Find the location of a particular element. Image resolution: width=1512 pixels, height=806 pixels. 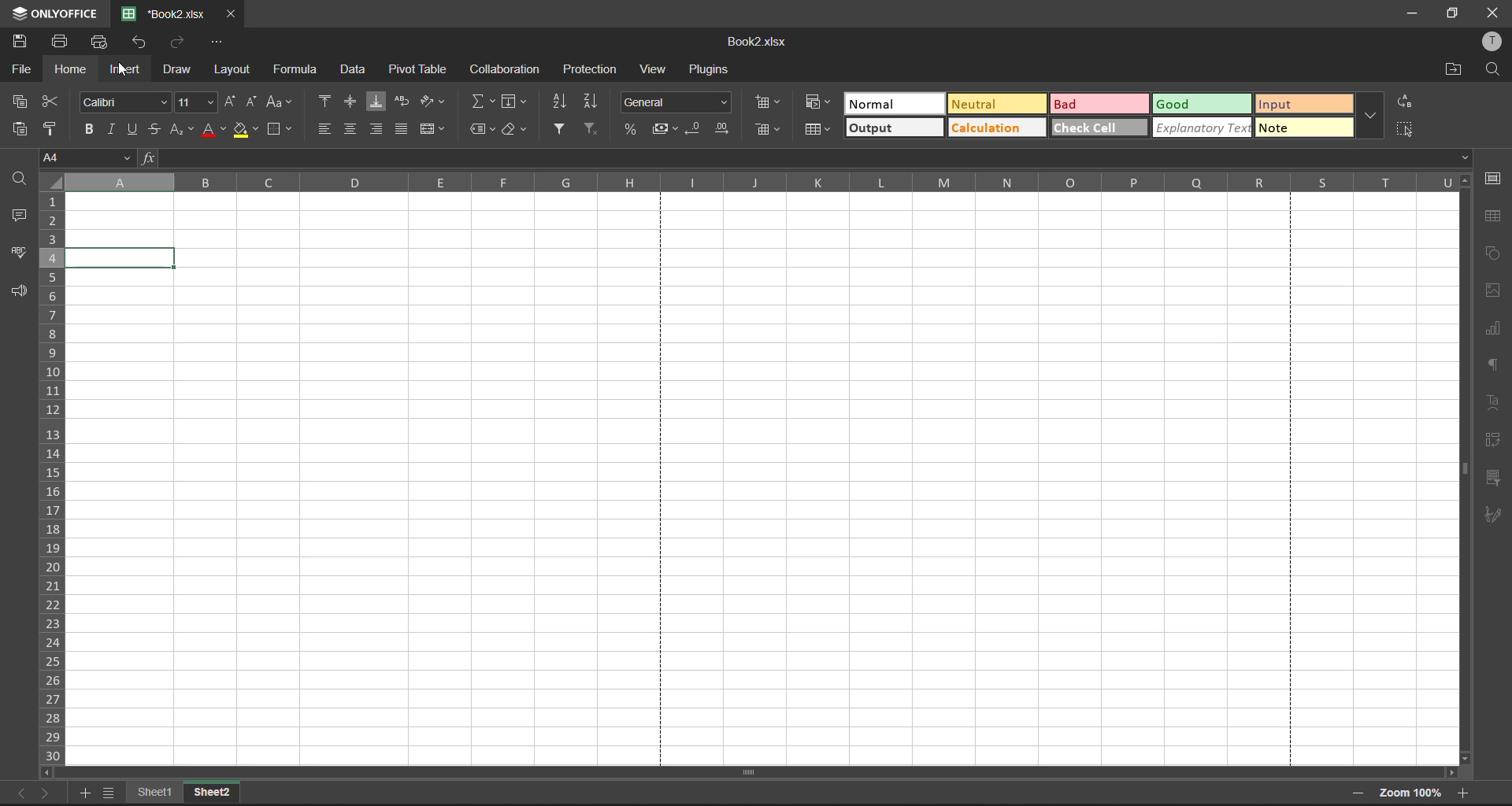

find is located at coordinates (1492, 69).